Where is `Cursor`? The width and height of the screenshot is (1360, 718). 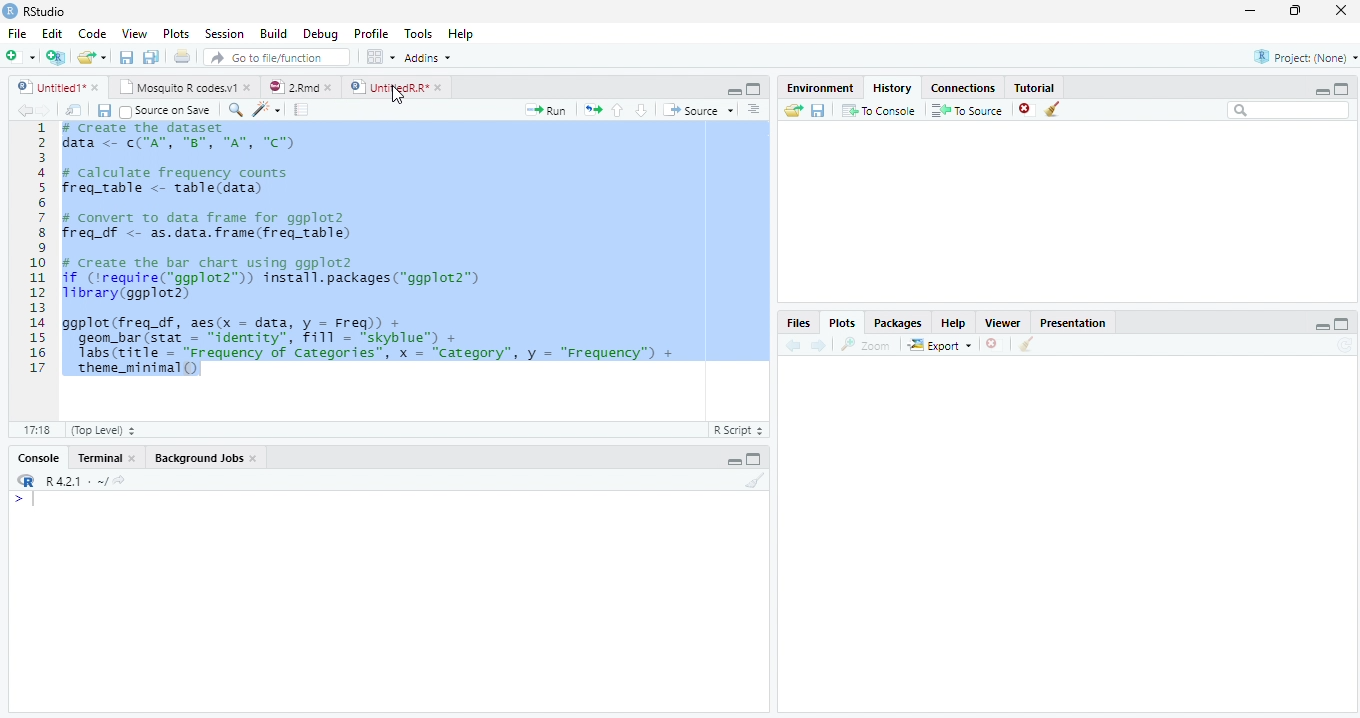
Cursor is located at coordinates (37, 501).